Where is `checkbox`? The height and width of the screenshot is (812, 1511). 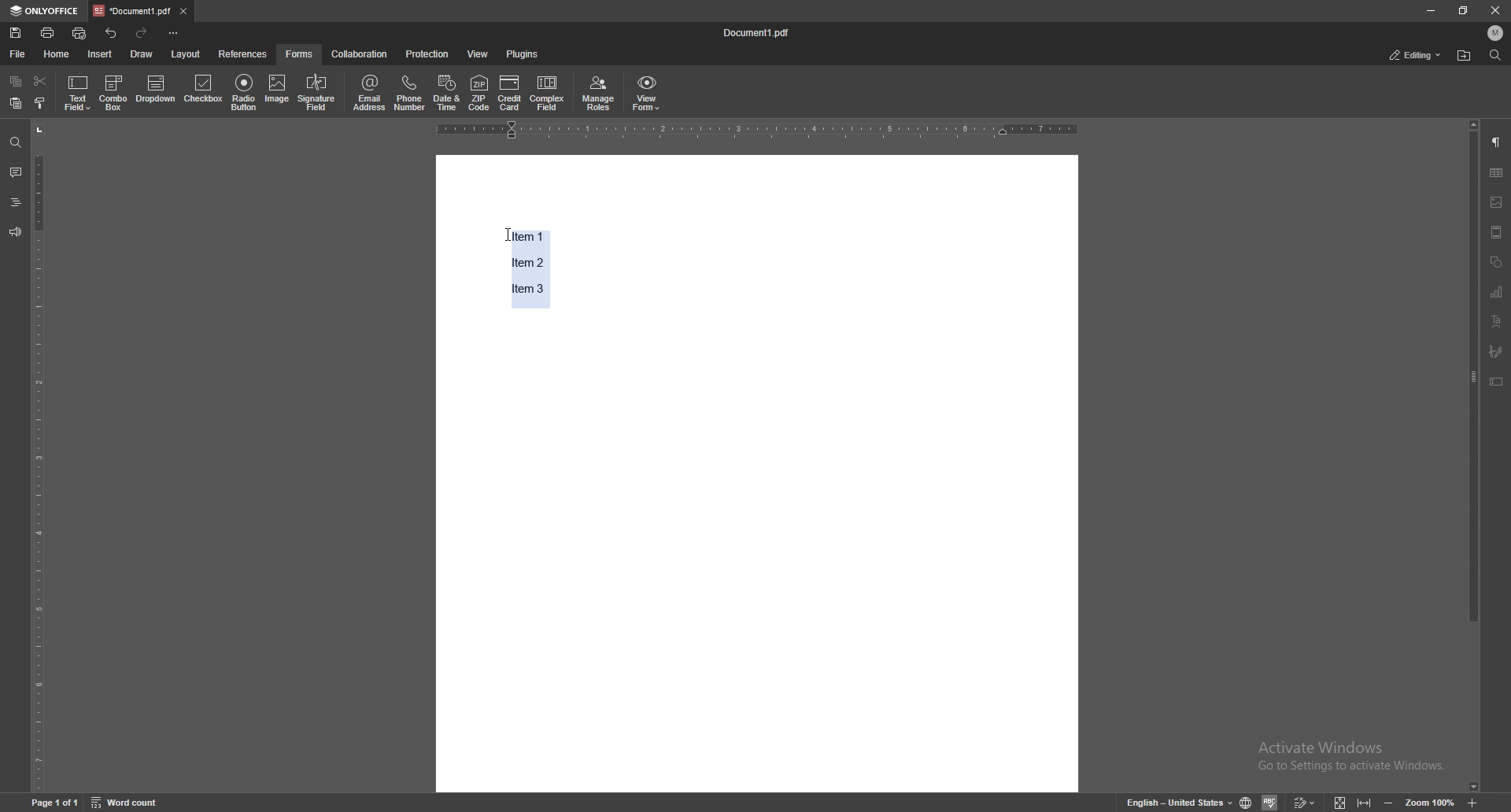 checkbox is located at coordinates (204, 90).